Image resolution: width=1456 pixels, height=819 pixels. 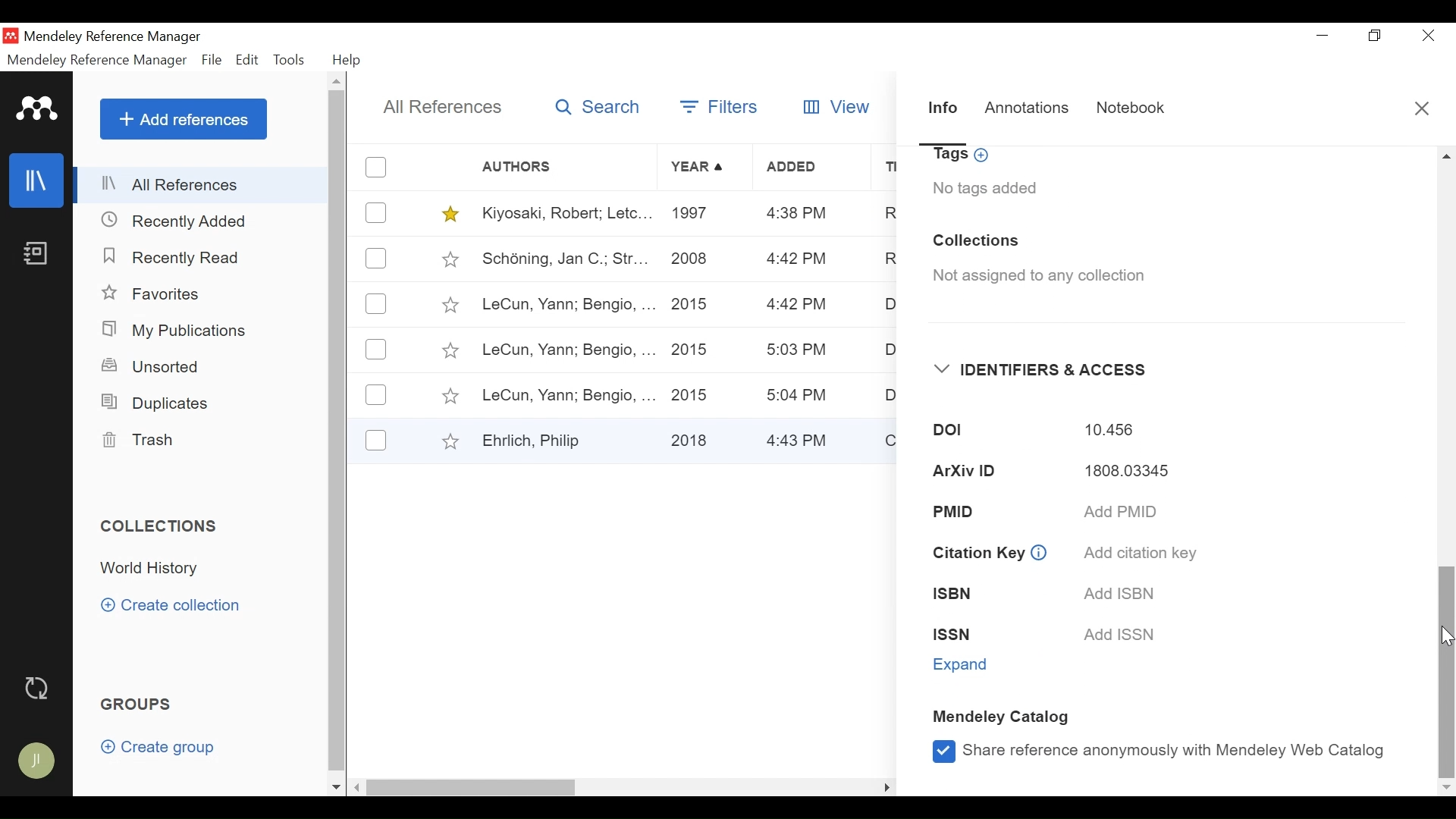 I want to click on Create Category, so click(x=174, y=606).